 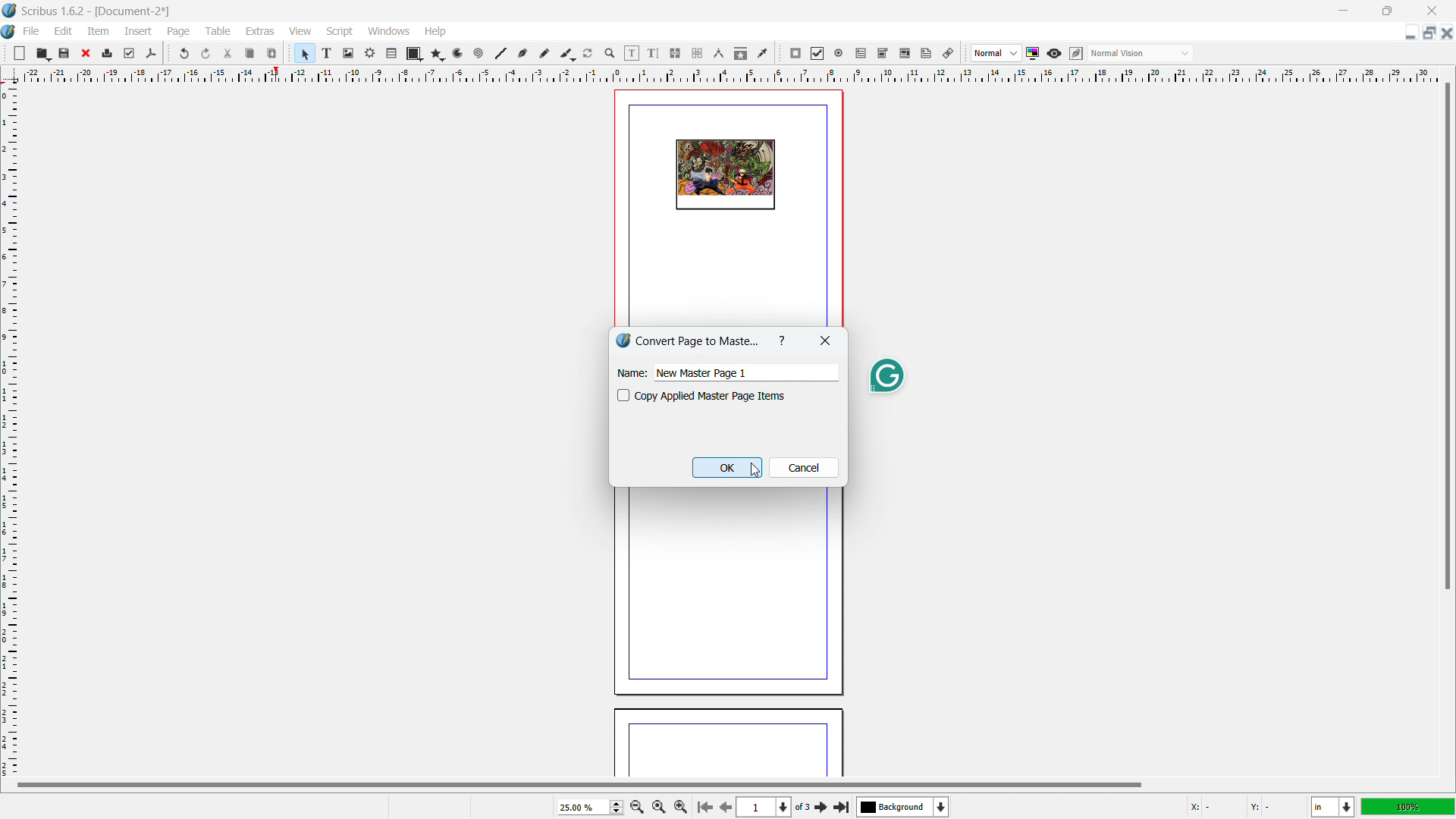 What do you see at coordinates (827, 339) in the screenshot?
I see `close` at bounding box center [827, 339].